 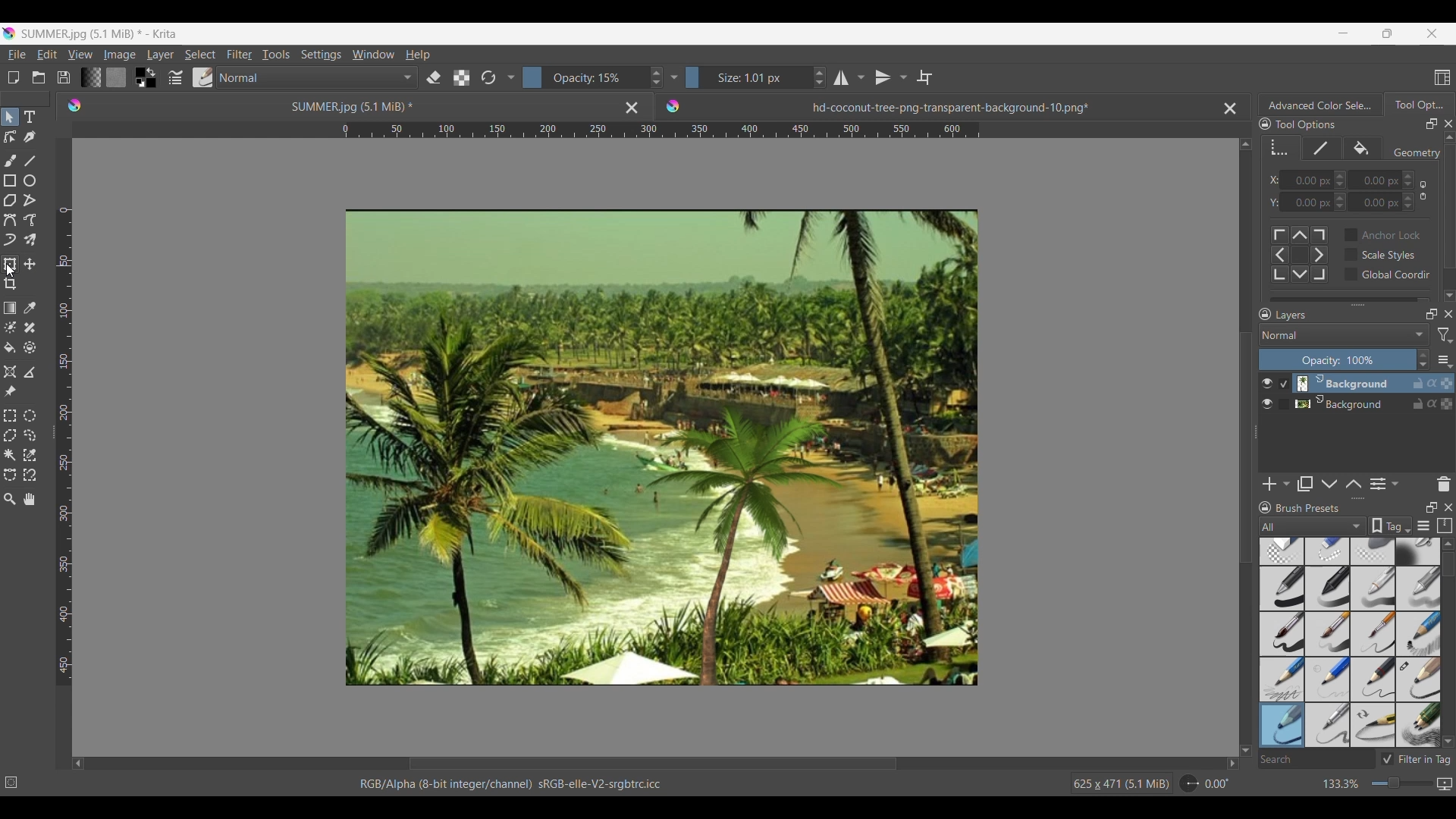 What do you see at coordinates (1448, 314) in the screenshot?
I see `Close layers panel` at bounding box center [1448, 314].